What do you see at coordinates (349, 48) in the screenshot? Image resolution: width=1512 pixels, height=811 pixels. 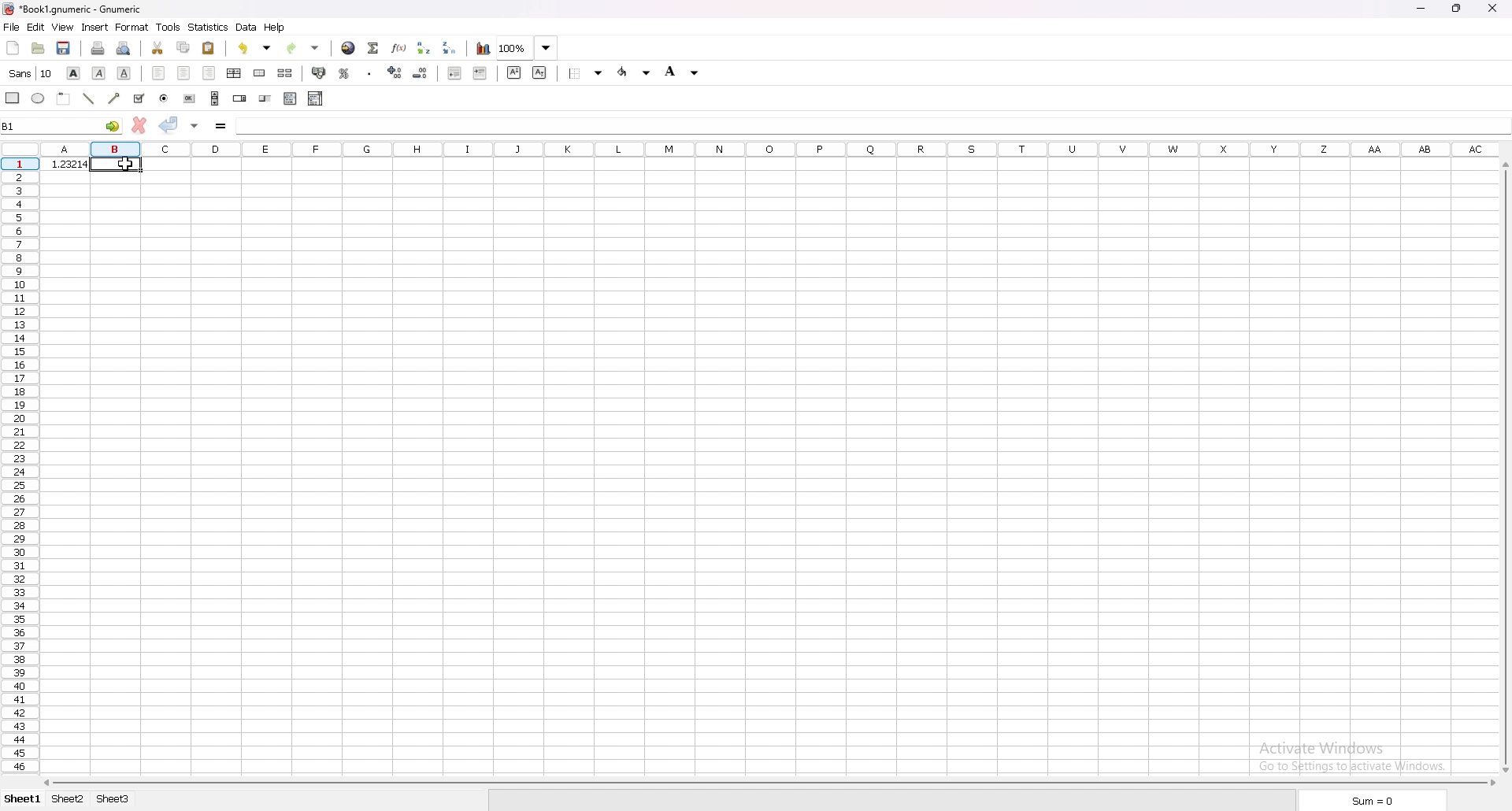 I see `hyperlink` at bounding box center [349, 48].